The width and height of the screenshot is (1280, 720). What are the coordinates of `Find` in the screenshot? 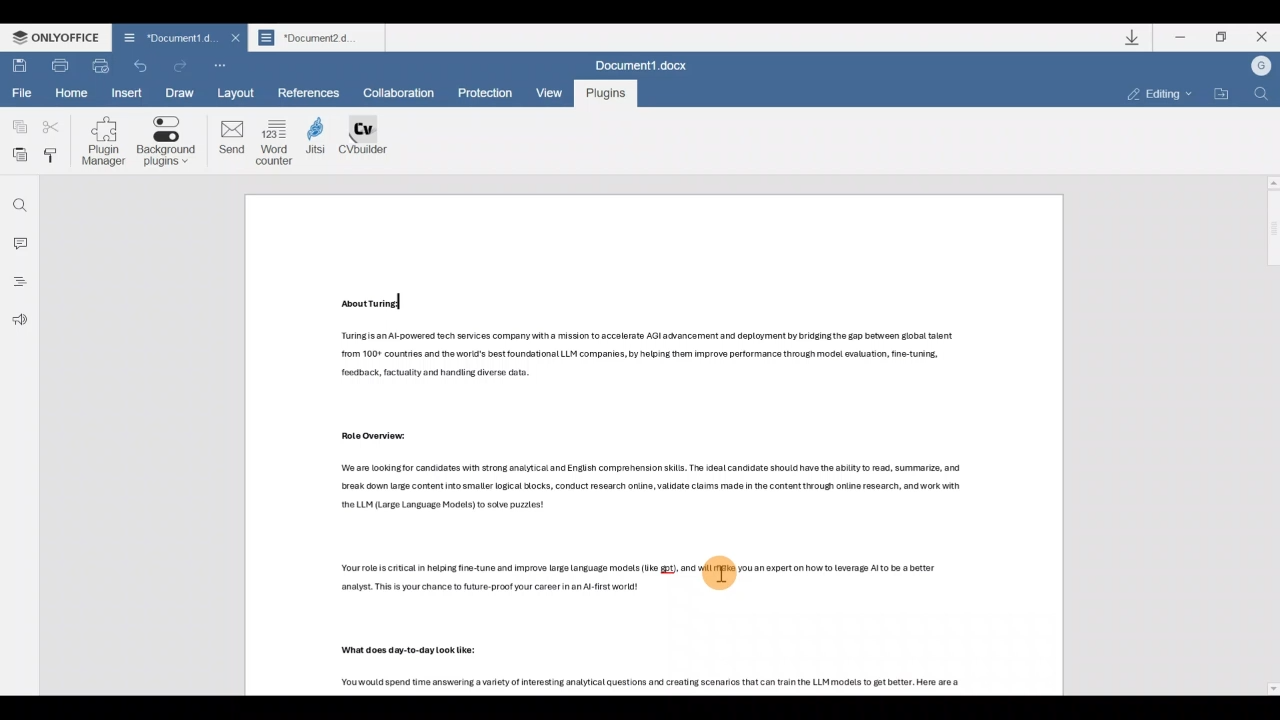 It's located at (1262, 98).